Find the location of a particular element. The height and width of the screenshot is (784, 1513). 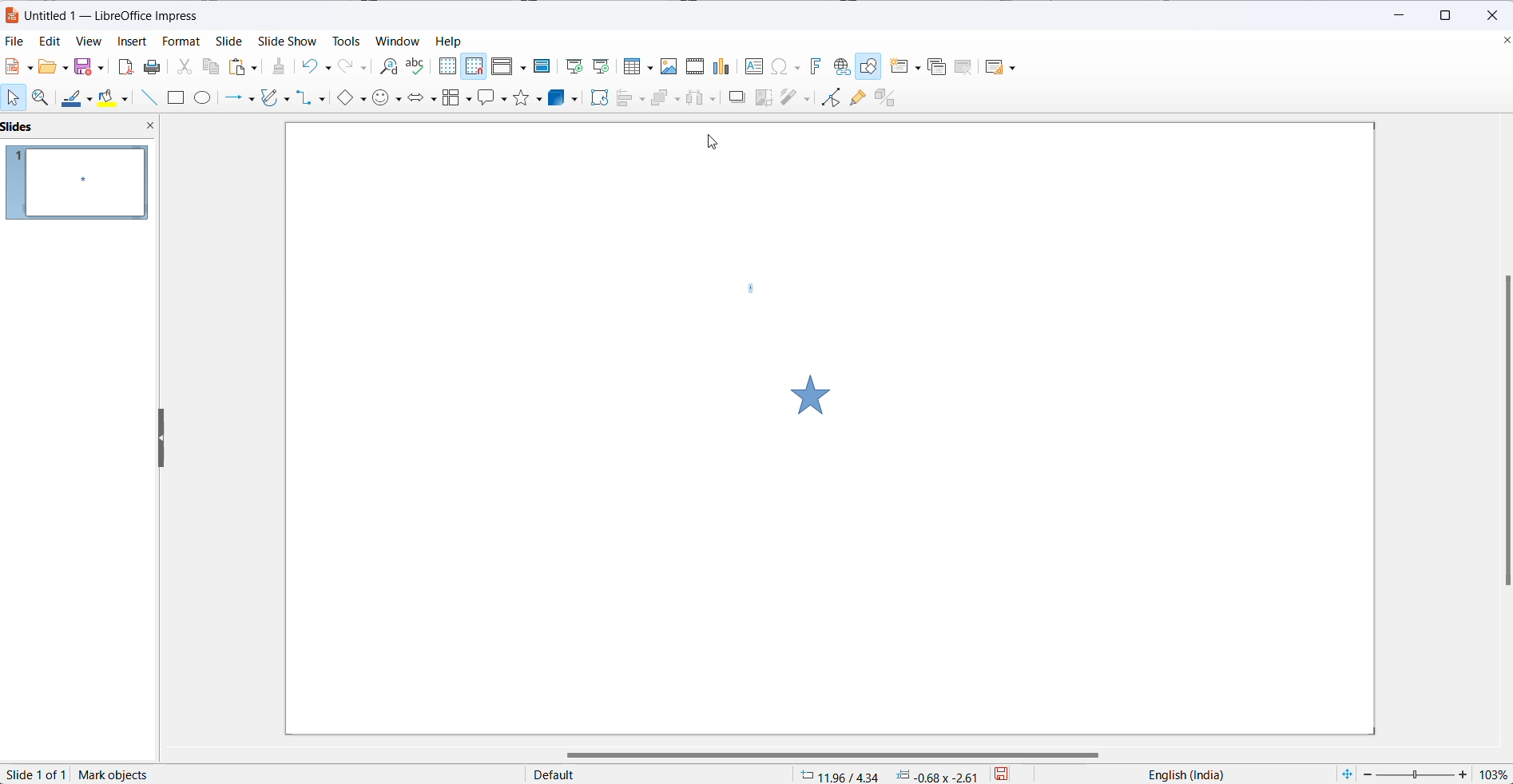

maximize is located at coordinates (1448, 16).